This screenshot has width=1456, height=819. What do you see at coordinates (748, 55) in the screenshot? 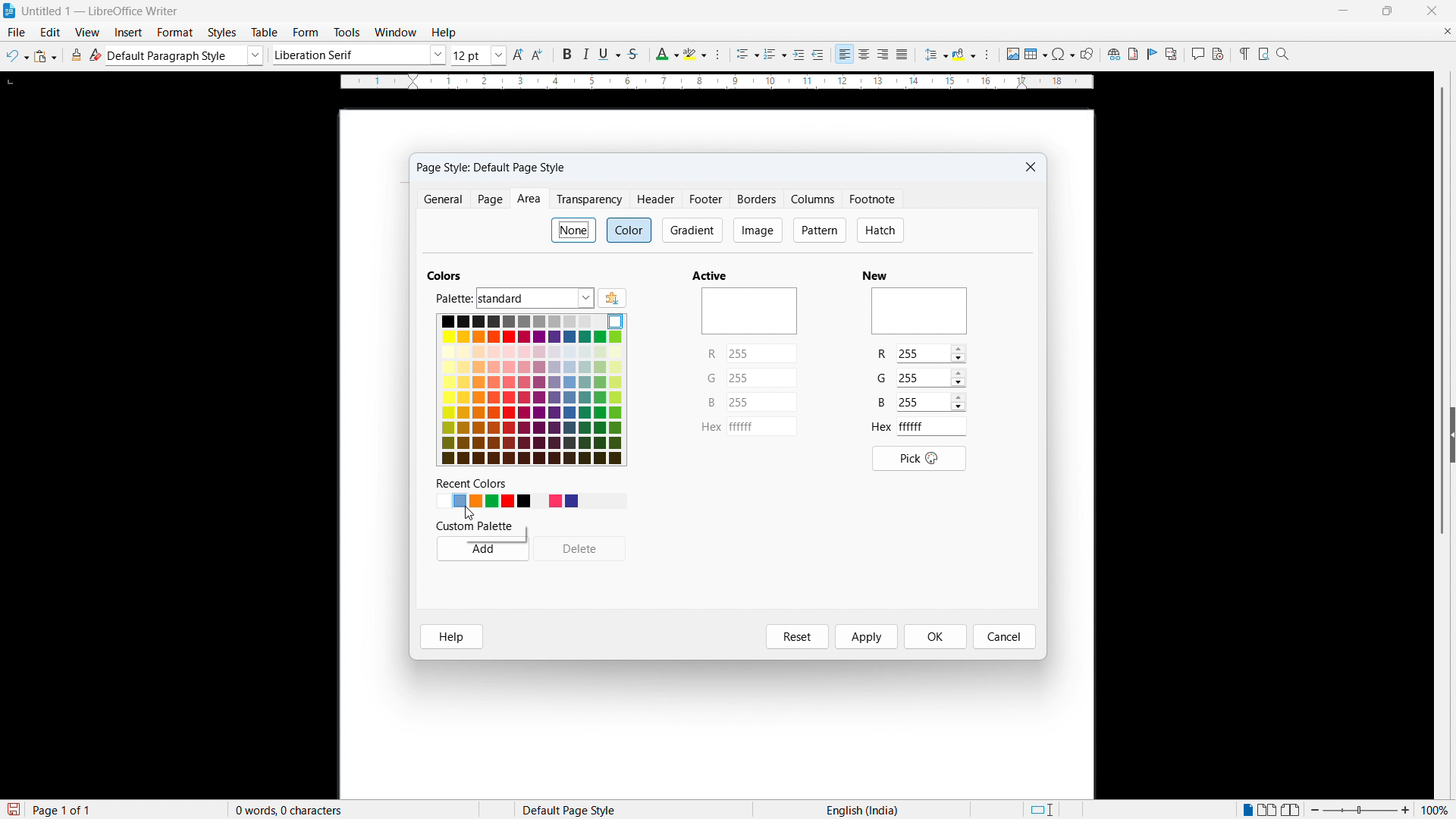
I see `Insert bulleted list ` at bounding box center [748, 55].